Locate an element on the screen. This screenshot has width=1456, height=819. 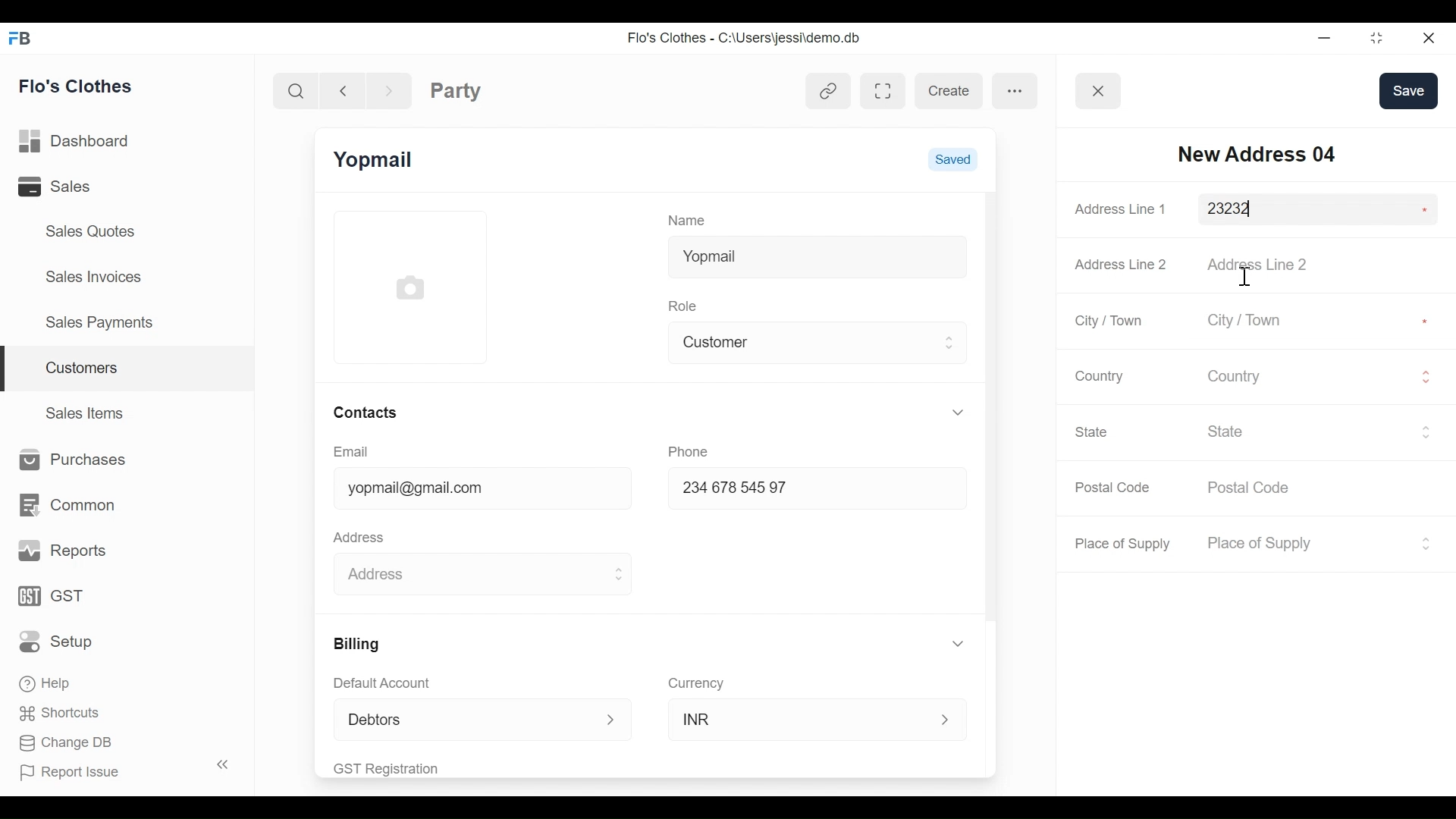
234678 54597 is located at coordinates (802, 490).